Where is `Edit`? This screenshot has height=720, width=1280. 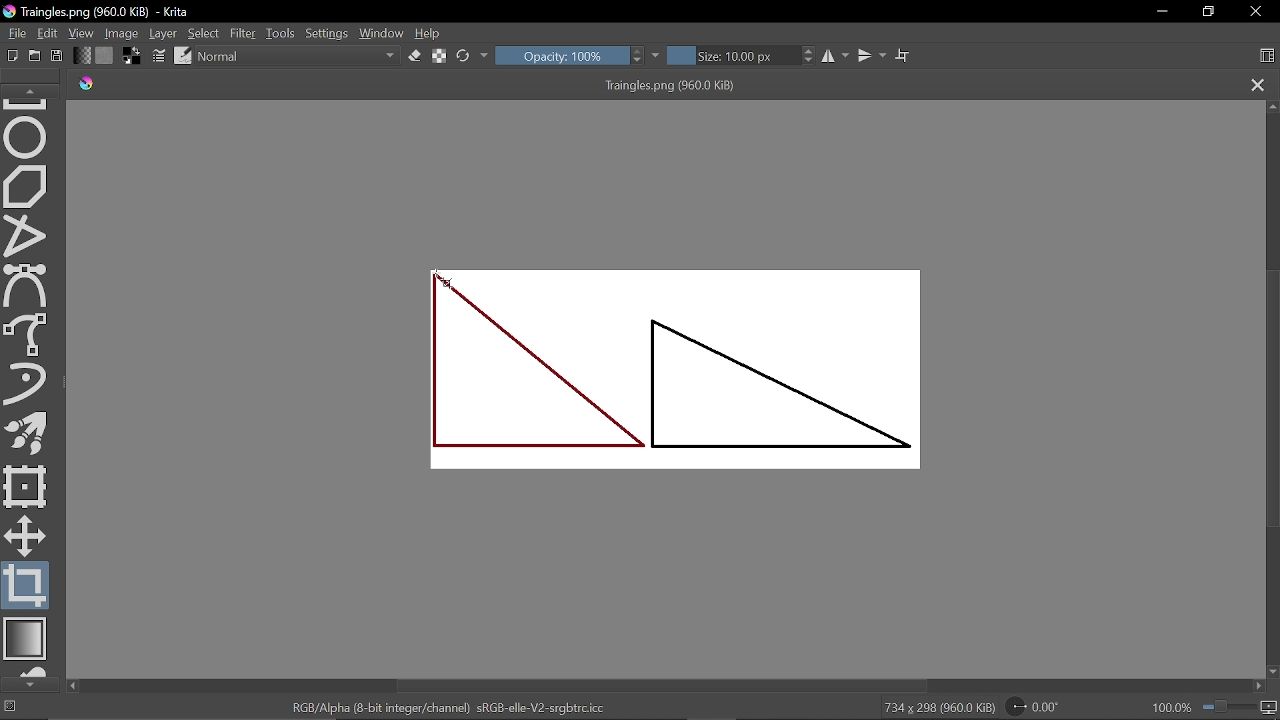
Edit is located at coordinates (49, 34).